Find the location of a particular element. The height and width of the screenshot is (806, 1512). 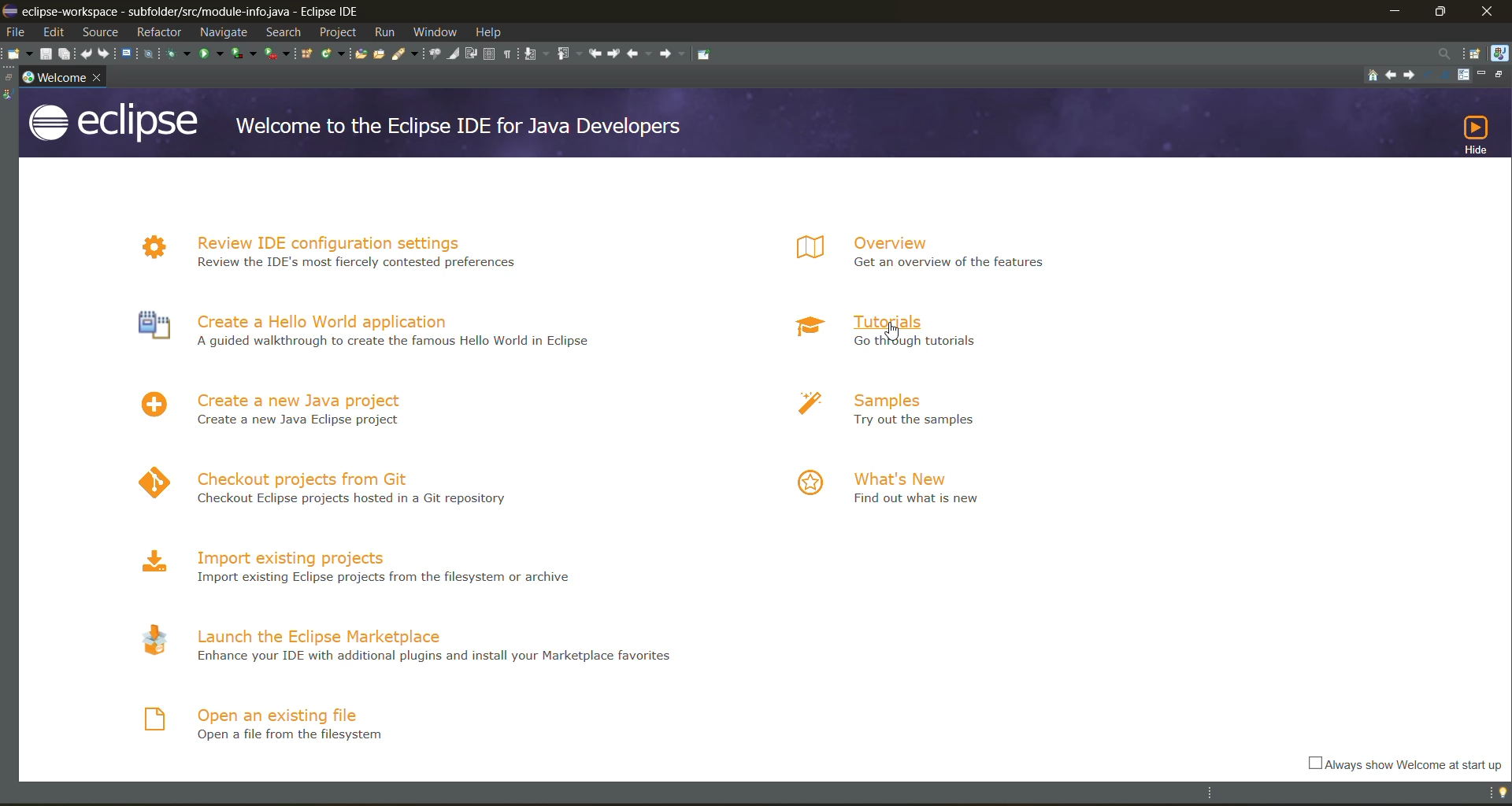

minimize is located at coordinates (1395, 10).